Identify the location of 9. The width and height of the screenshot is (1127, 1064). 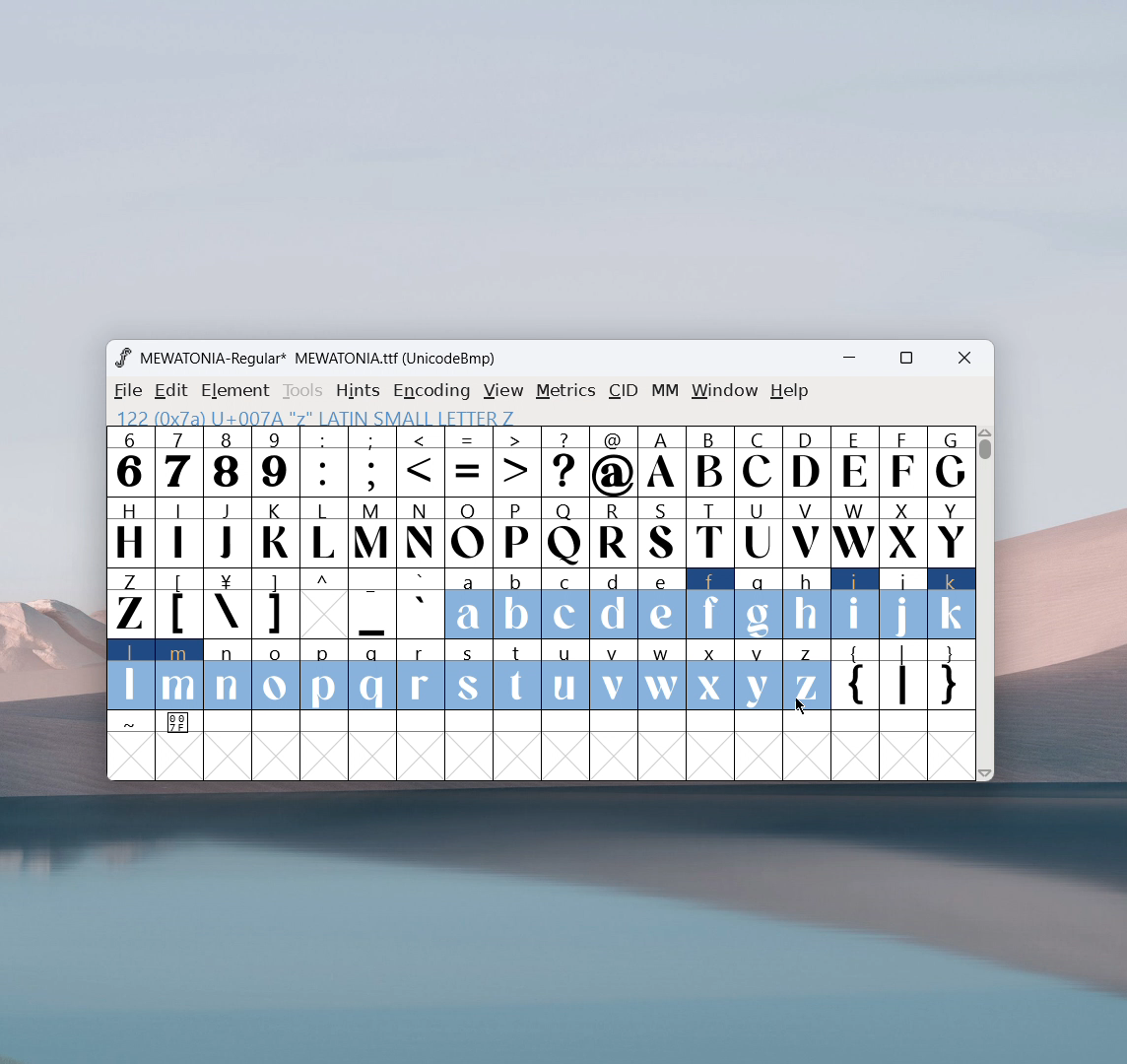
(275, 461).